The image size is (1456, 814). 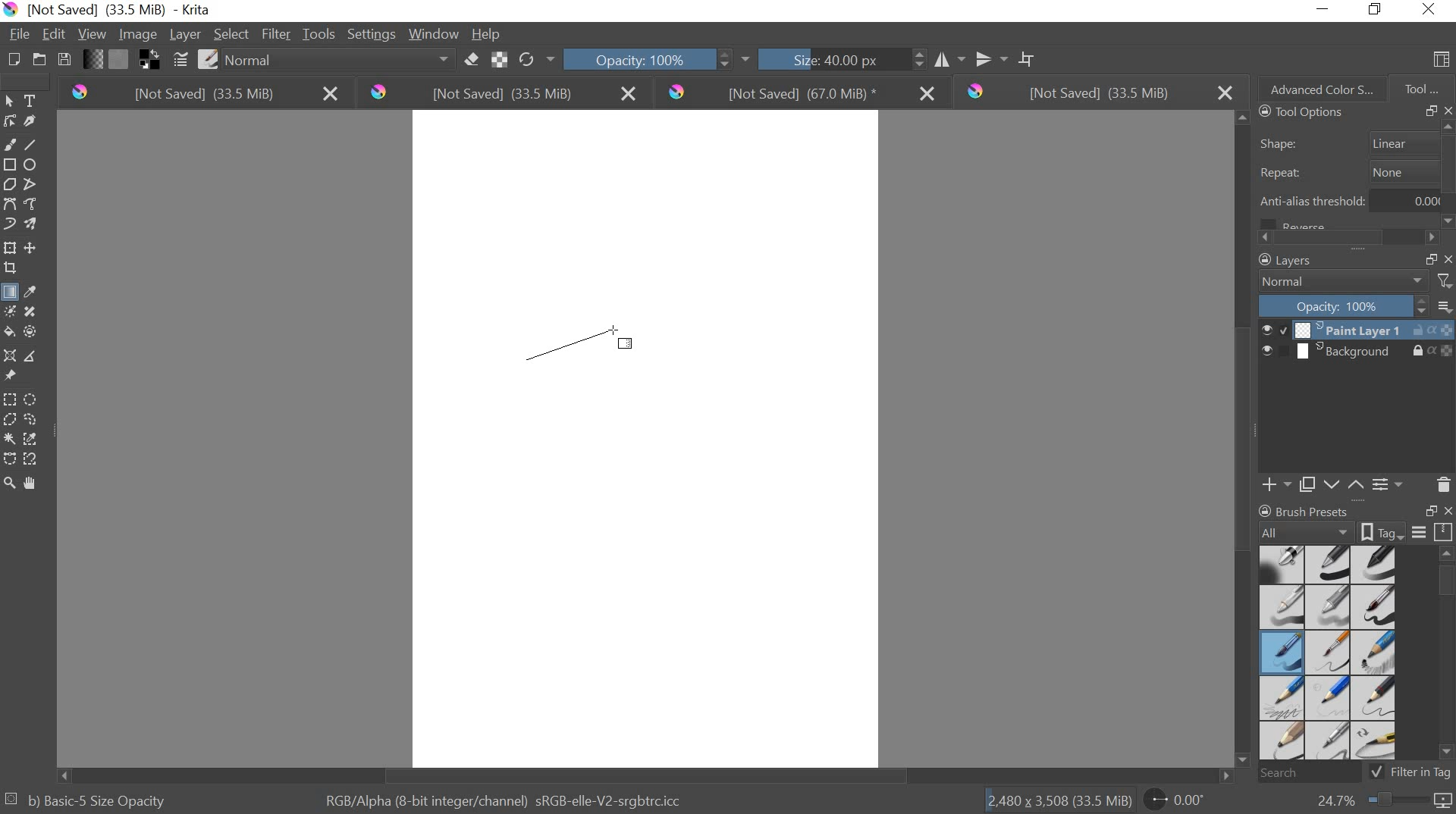 I want to click on dynamic brush, so click(x=9, y=223).